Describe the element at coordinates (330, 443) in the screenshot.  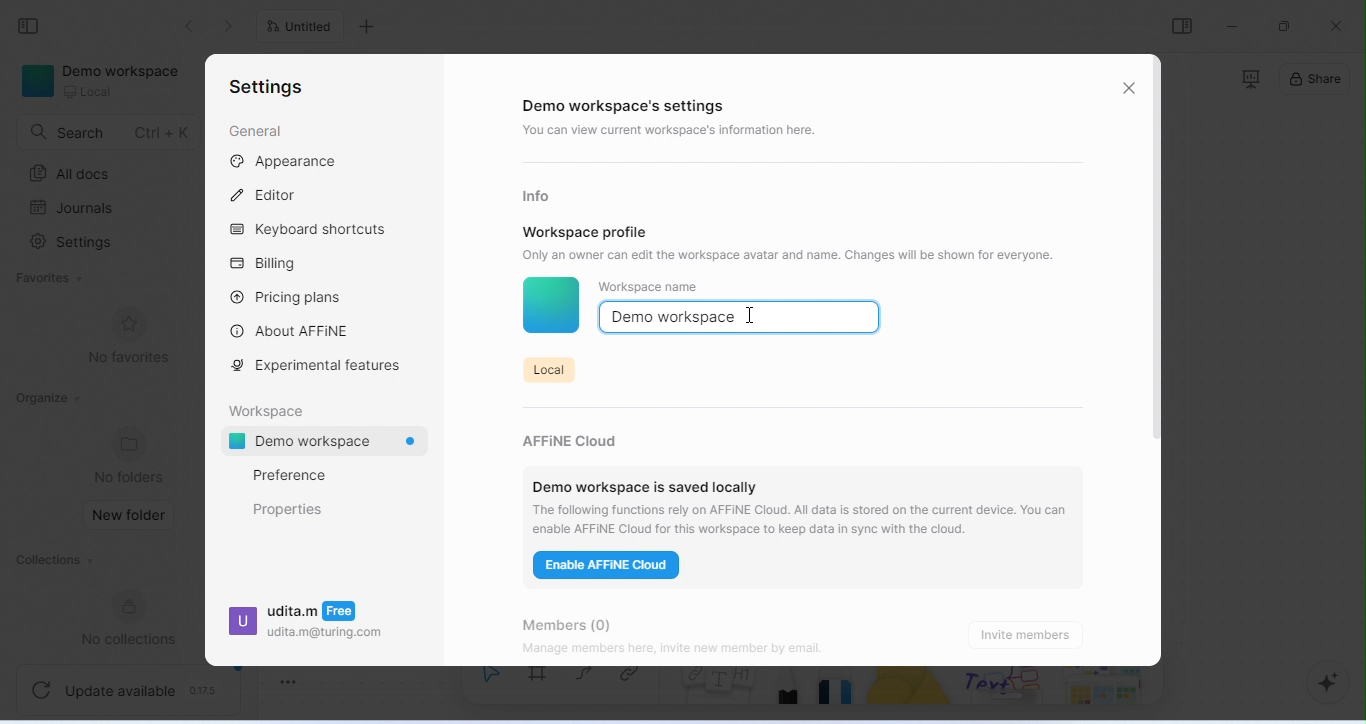
I see `demo workspace` at that location.